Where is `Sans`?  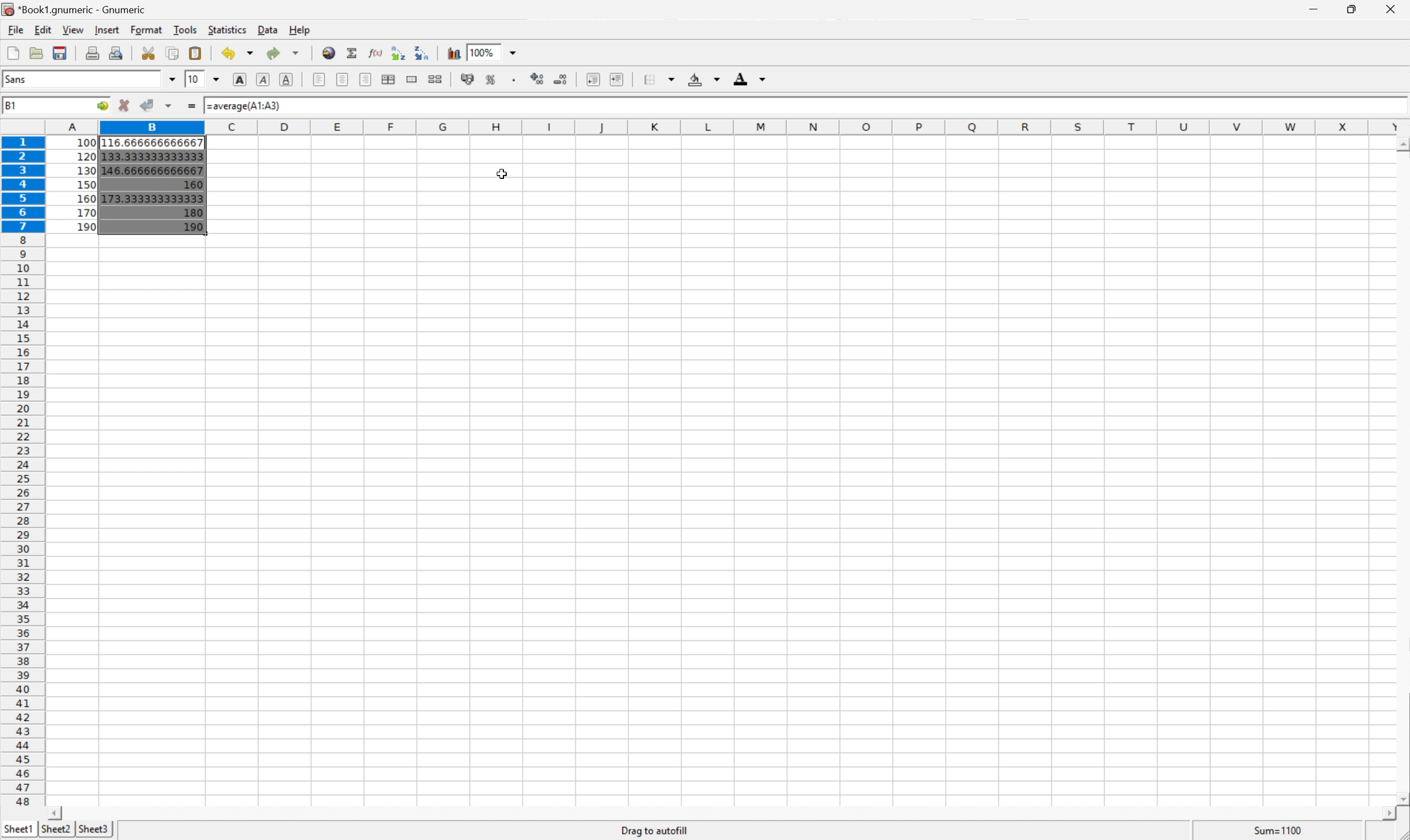 Sans is located at coordinates (17, 79).